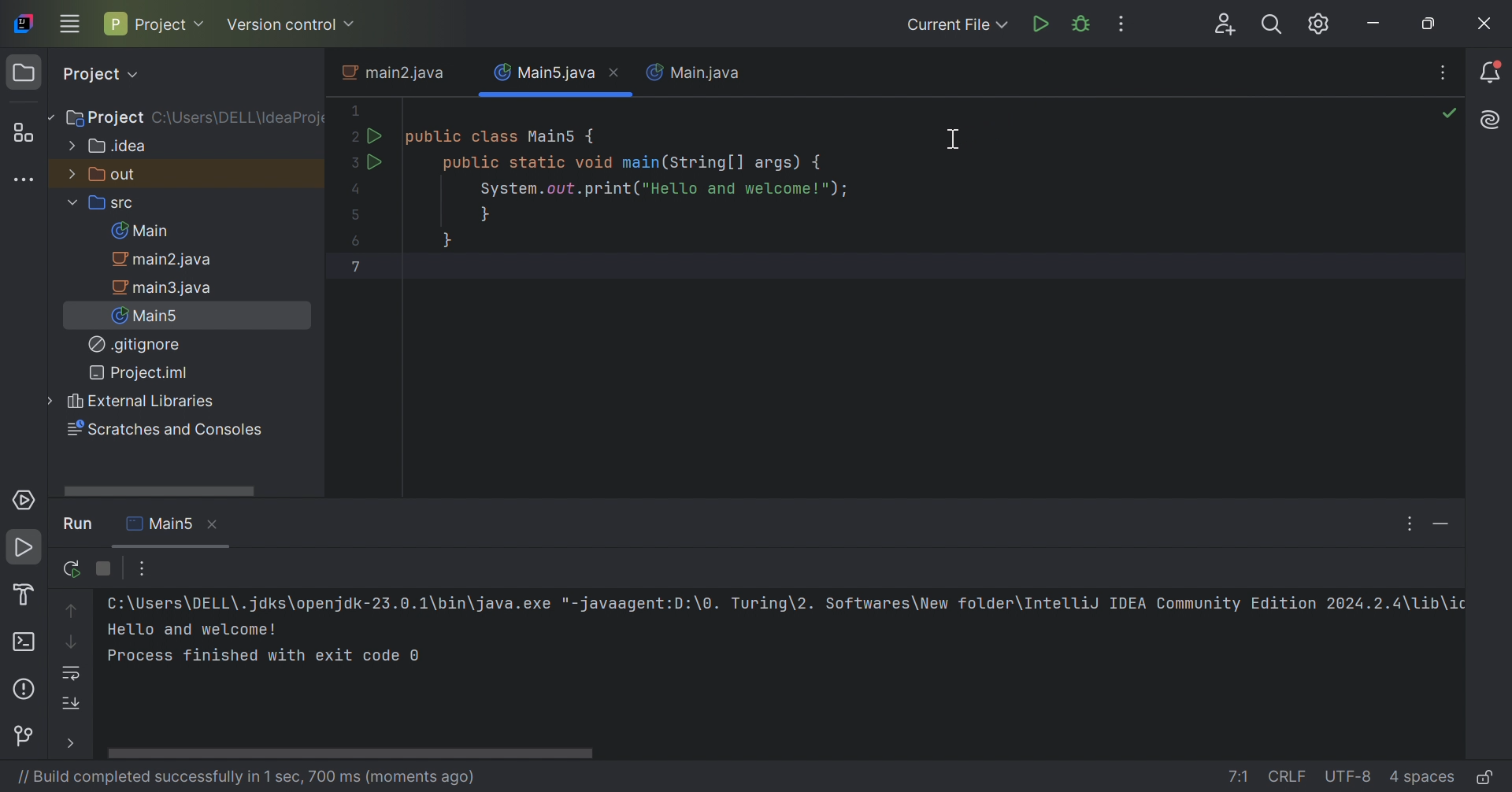 The height and width of the screenshot is (792, 1512). I want to click on Project, so click(154, 23).